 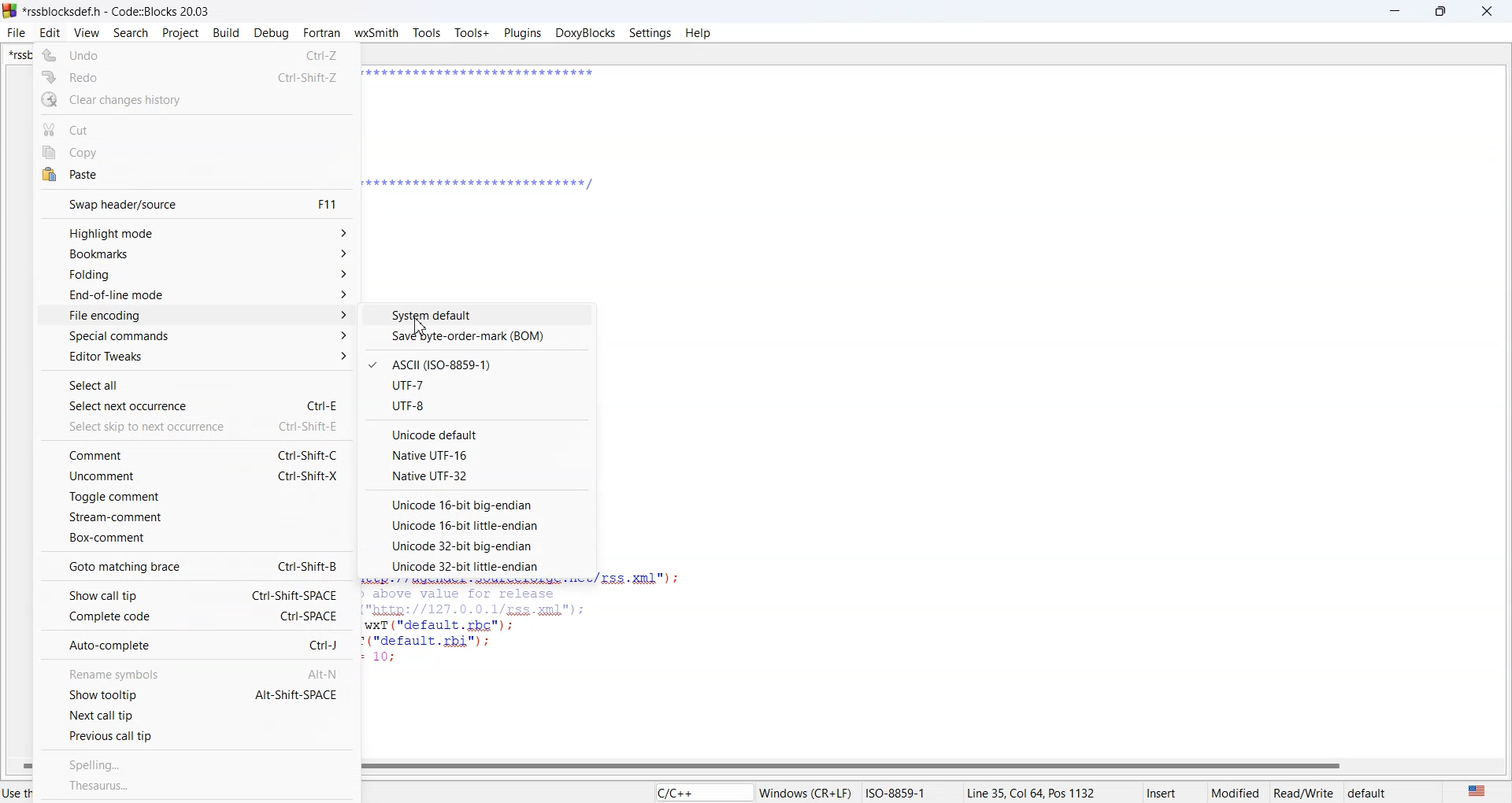 I want to click on Special commands, so click(x=198, y=336).